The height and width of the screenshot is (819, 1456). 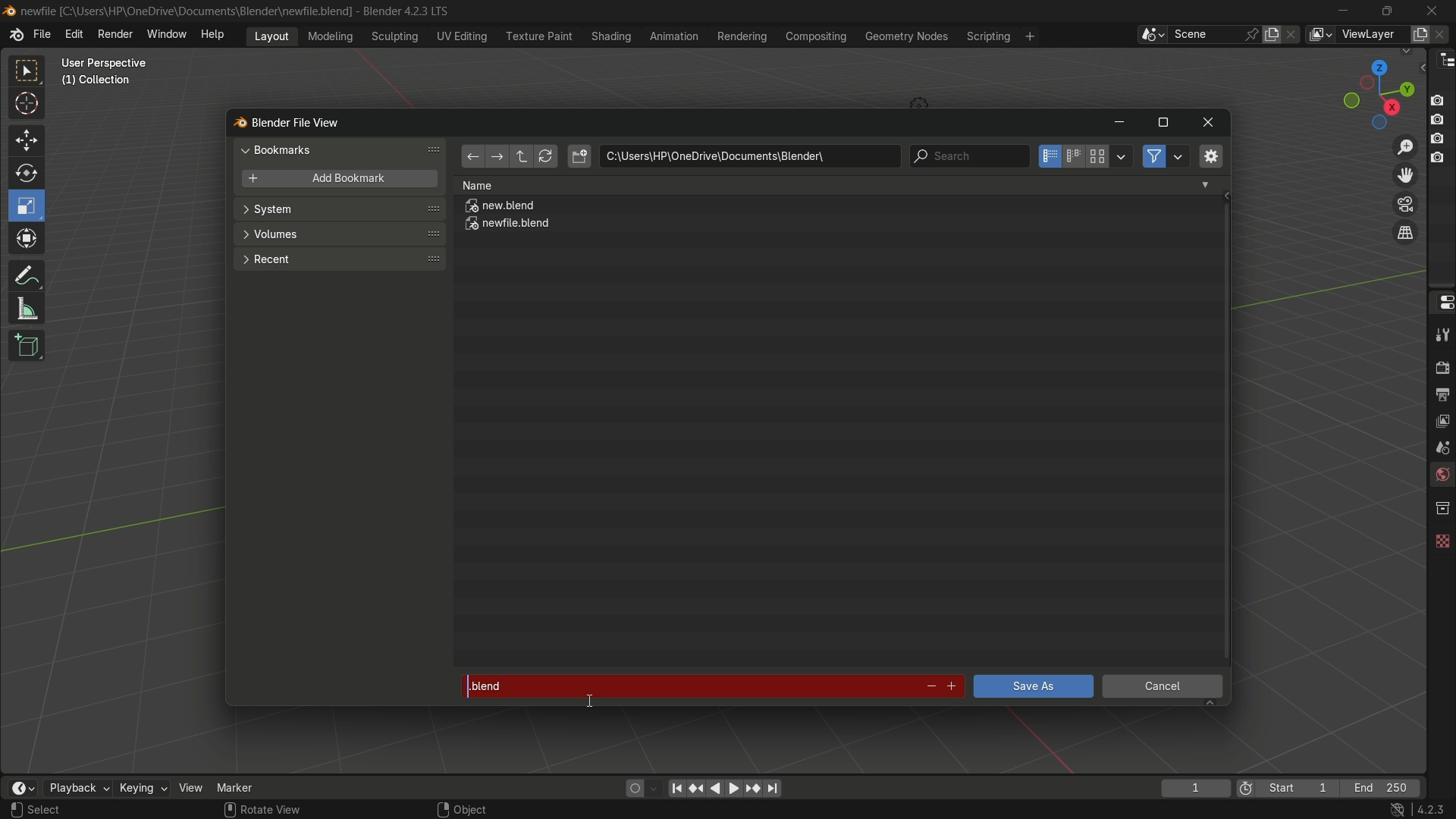 What do you see at coordinates (1179, 156) in the screenshot?
I see `filter settings` at bounding box center [1179, 156].